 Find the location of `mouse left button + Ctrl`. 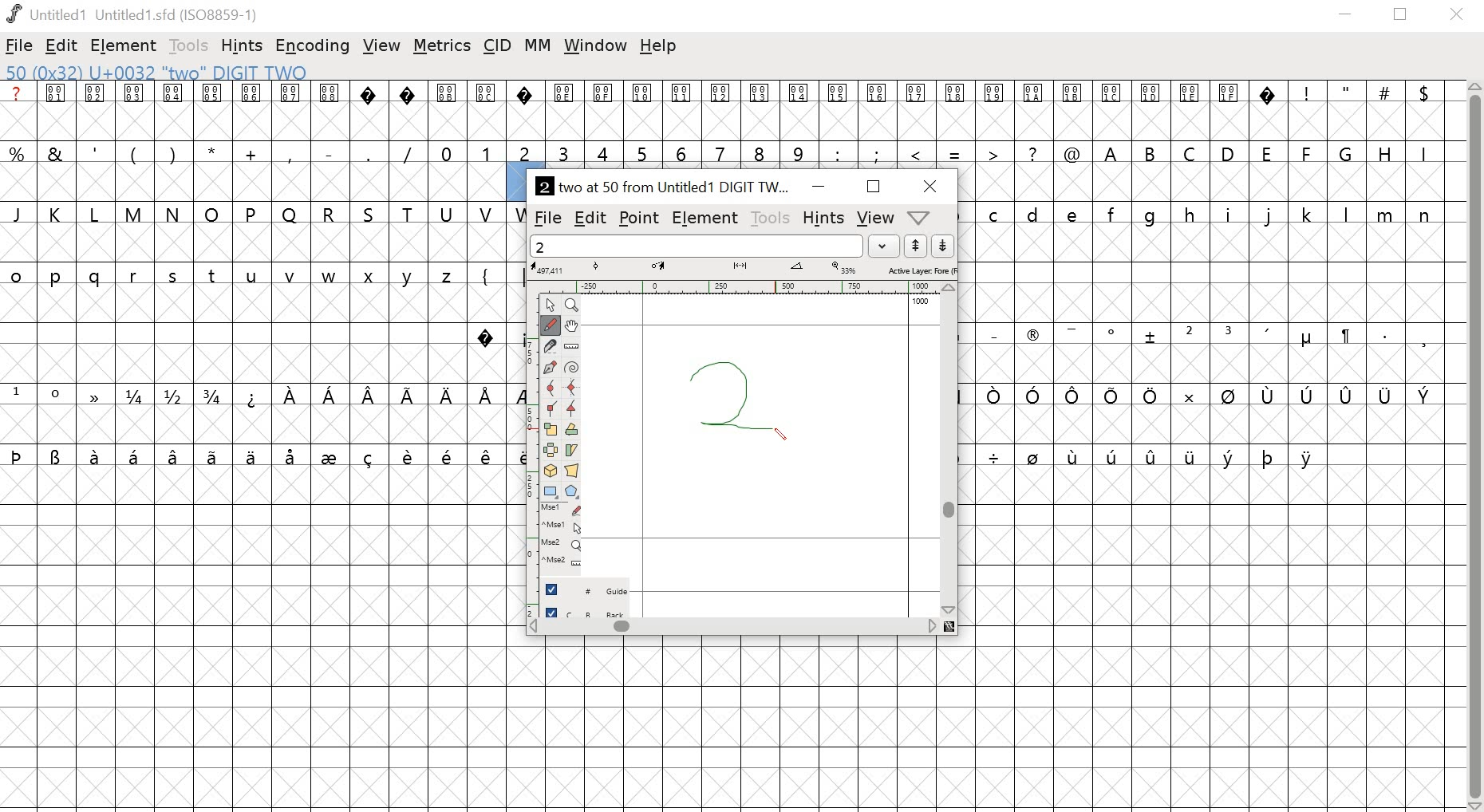

mouse left button + Ctrl is located at coordinates (565, 528).